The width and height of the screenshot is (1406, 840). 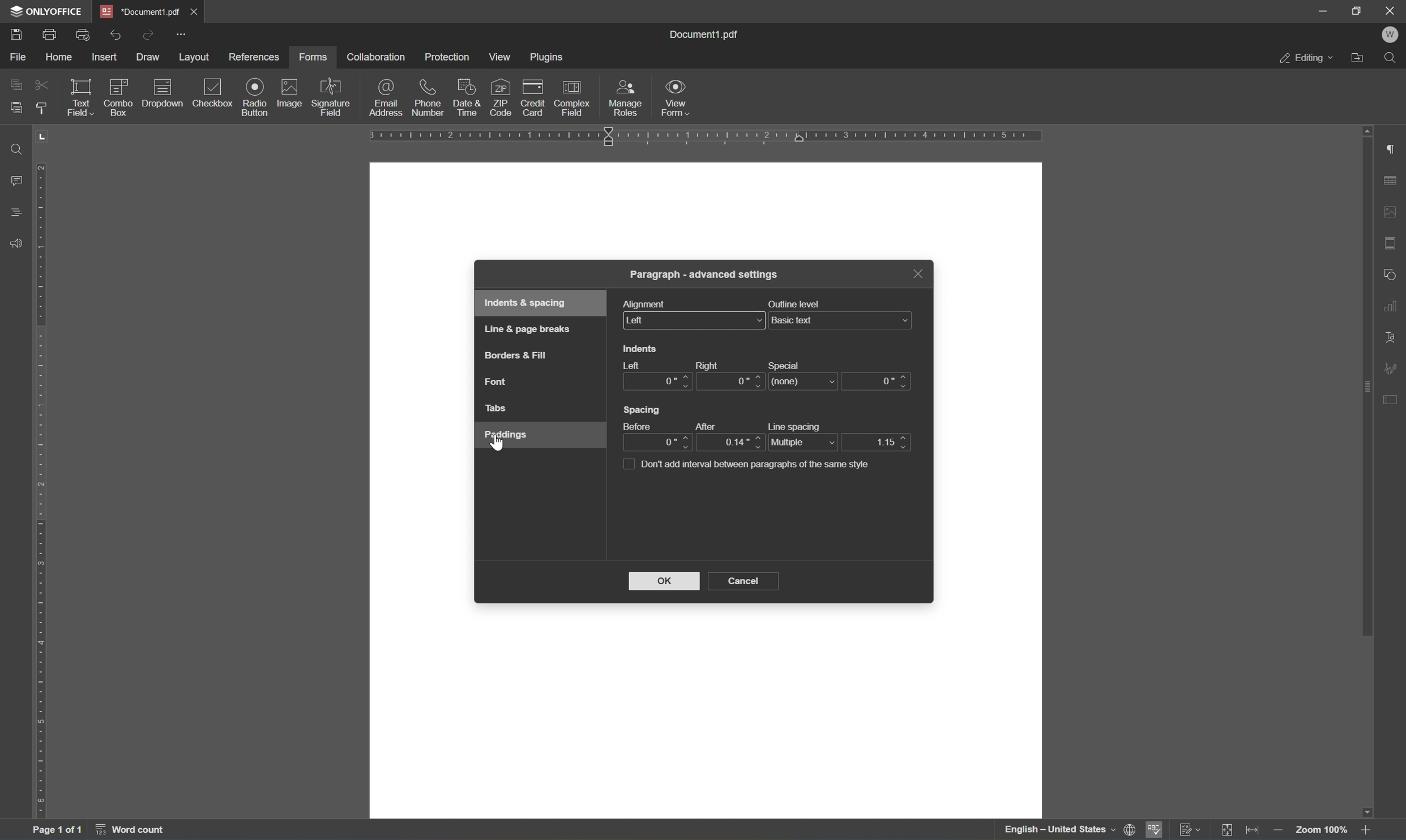 What do you see at coordinates (147, 34) in the screenshot?
I see `redo` at bounding box center [147, 34].